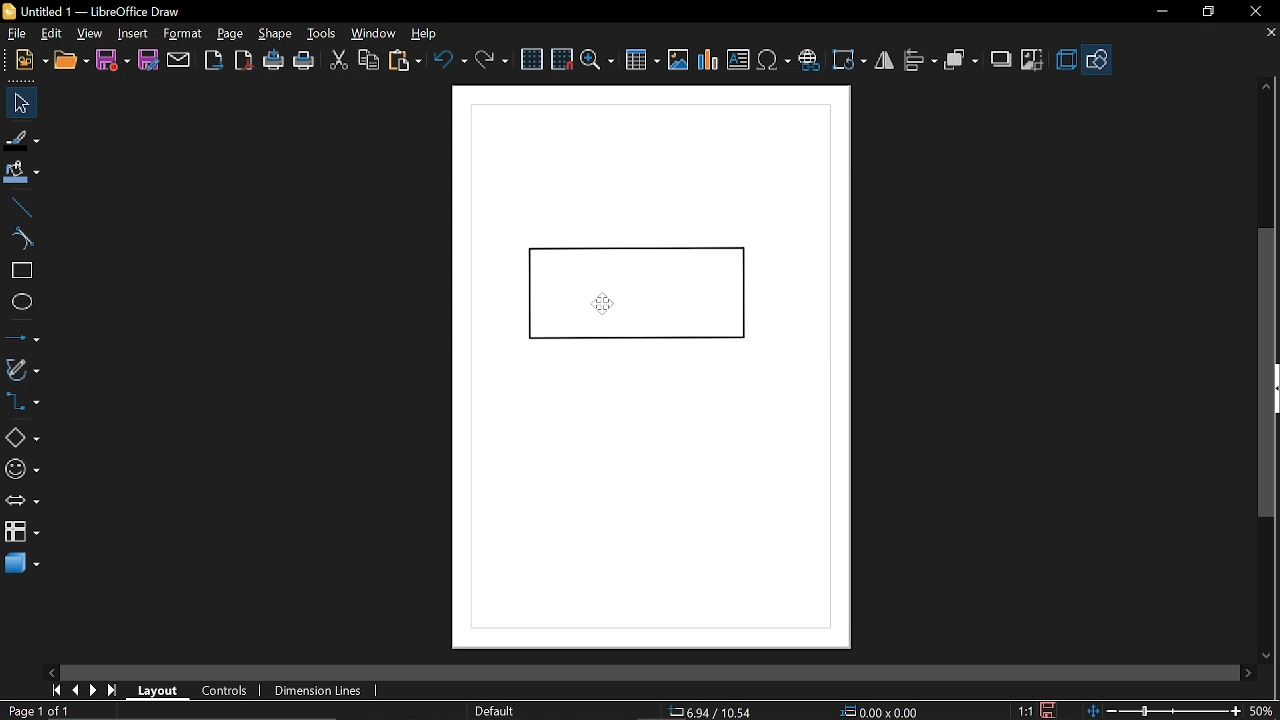 This screenshot has width=1280, height=720. Describe the element at coordinates (186, 34) in the screenshot. I see `format` at that location.